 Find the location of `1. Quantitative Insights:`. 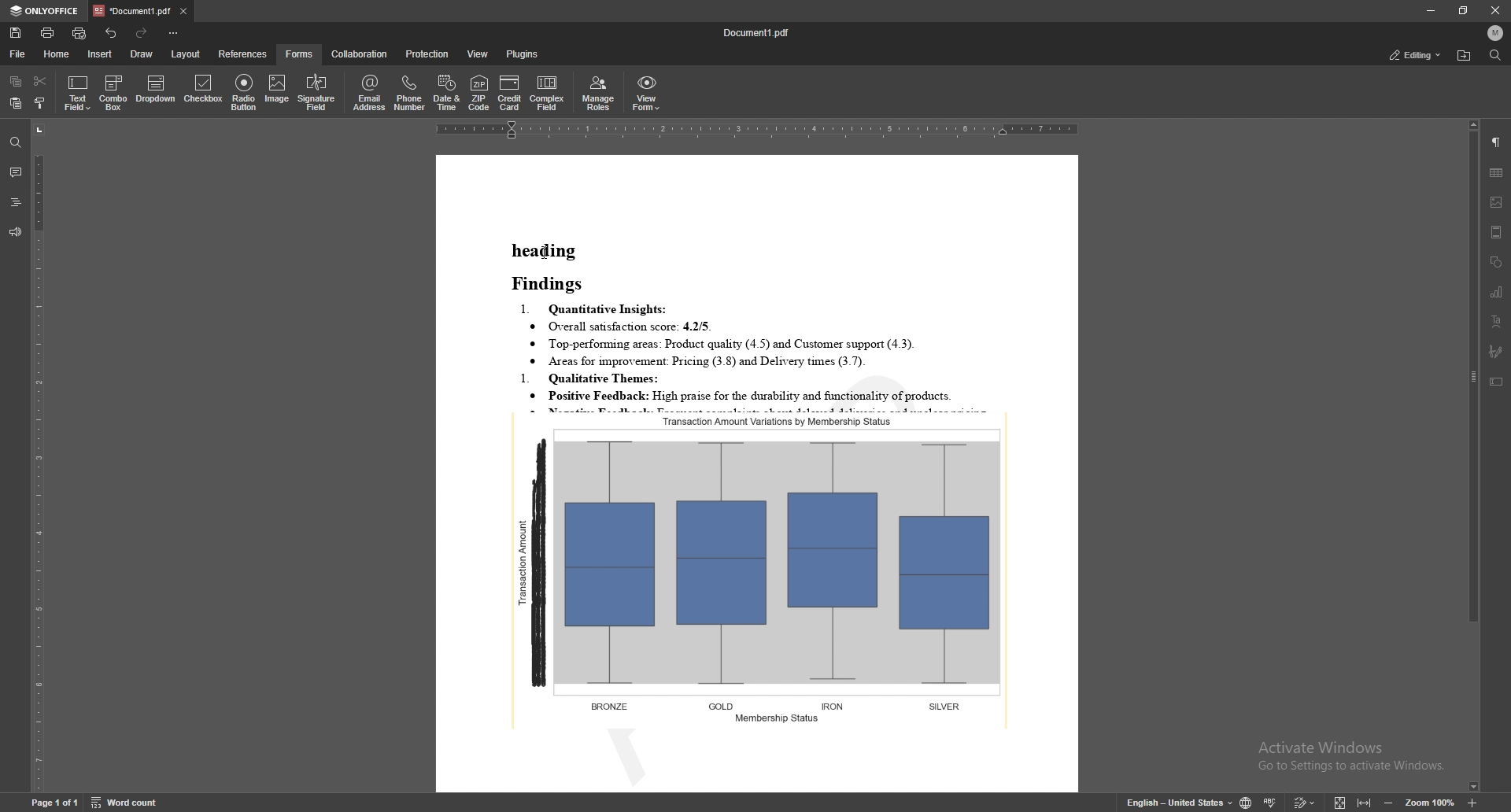

1. Quantitative Insights: is located at coordinates (597, 308).